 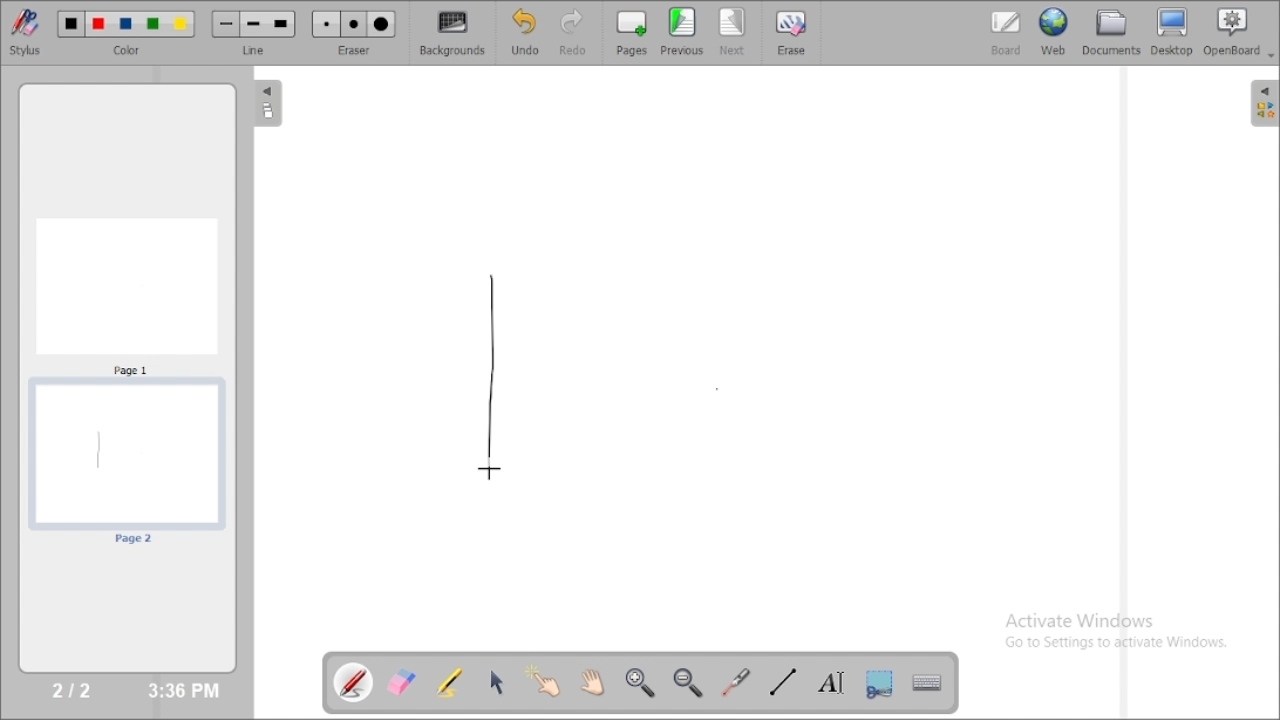 What do you see at coordinates (1264, 102) in the screenshot?
I see `The library` at bounding box center [1264, 102].